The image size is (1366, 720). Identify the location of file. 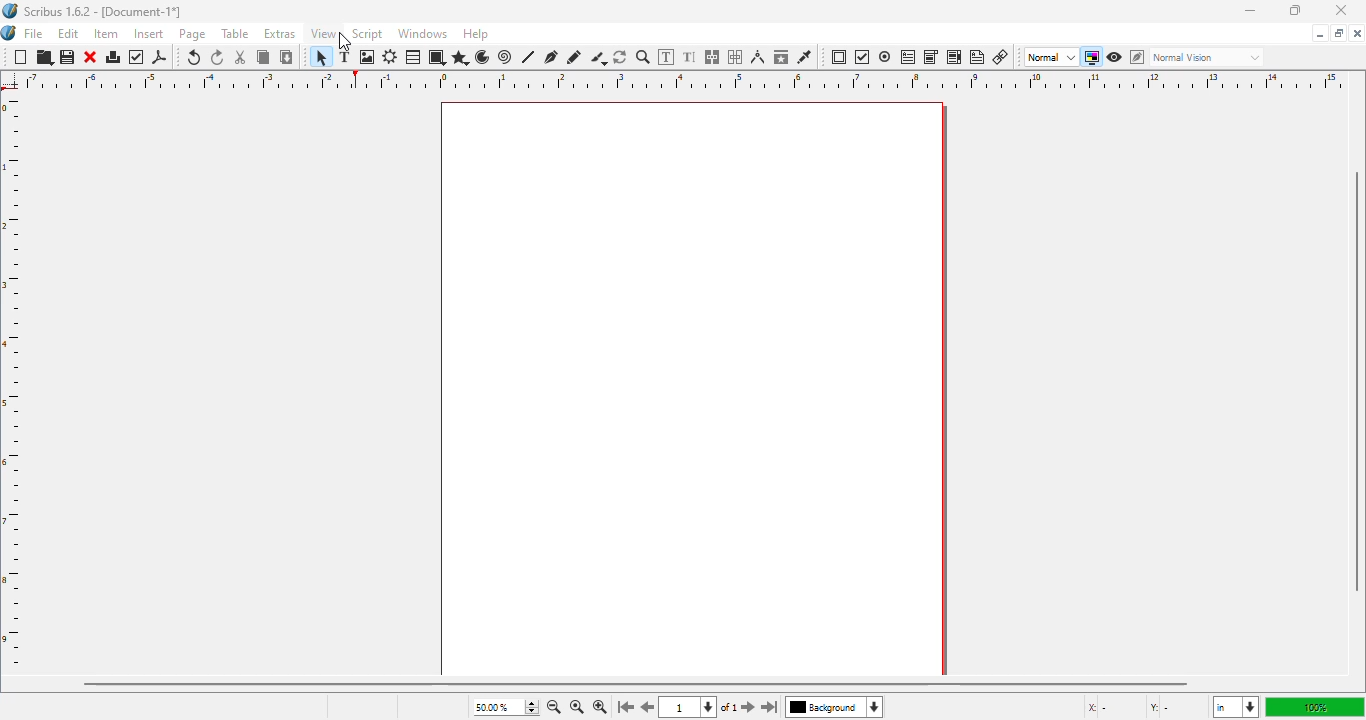
(34, 33).